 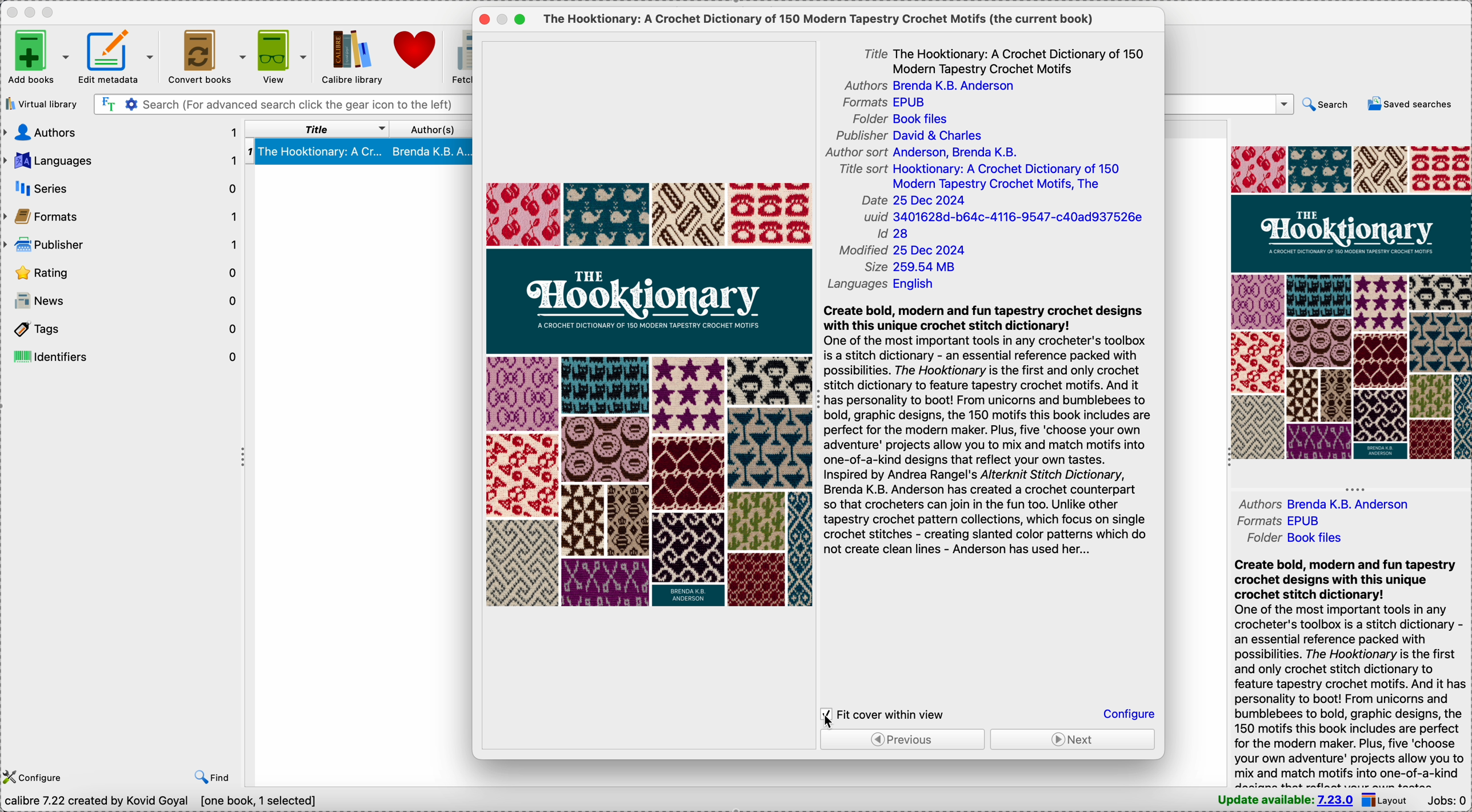 I want to click on search, so click(x=1327, y=103).